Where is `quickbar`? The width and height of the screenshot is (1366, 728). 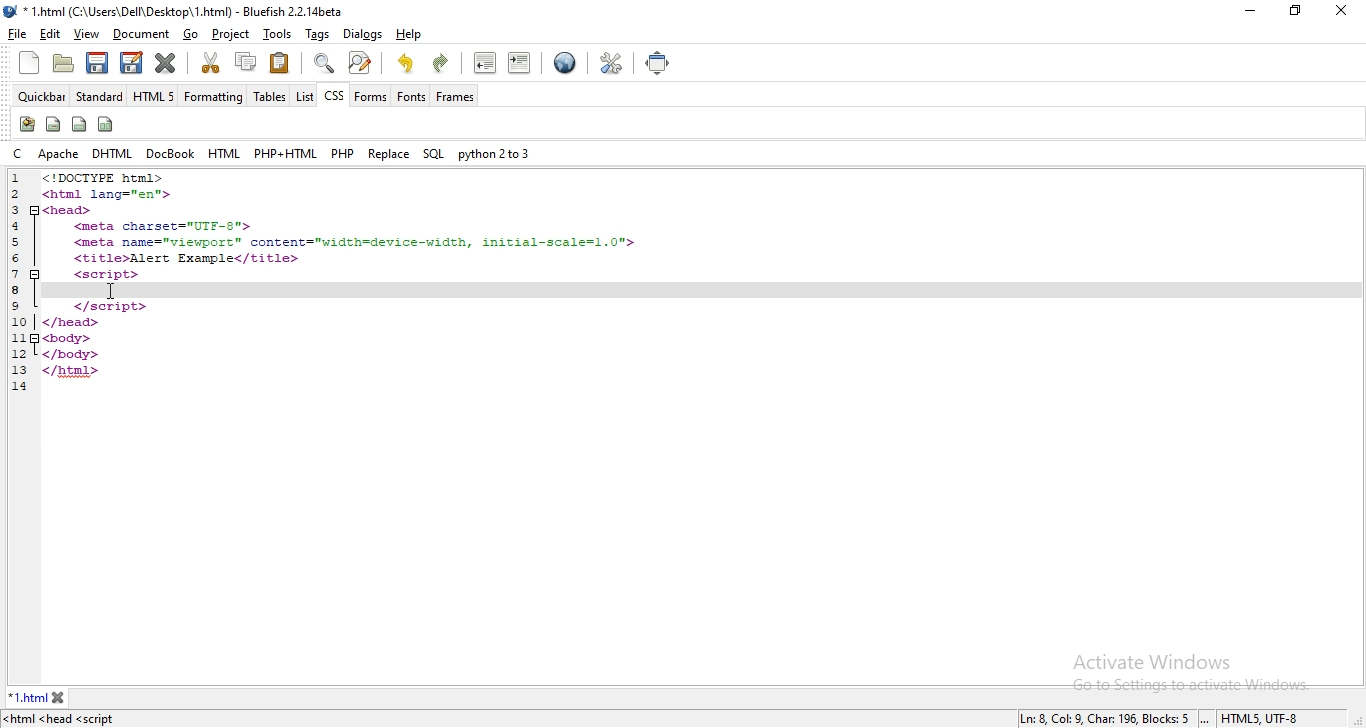 quickbar is located at coordinates (40, 95).